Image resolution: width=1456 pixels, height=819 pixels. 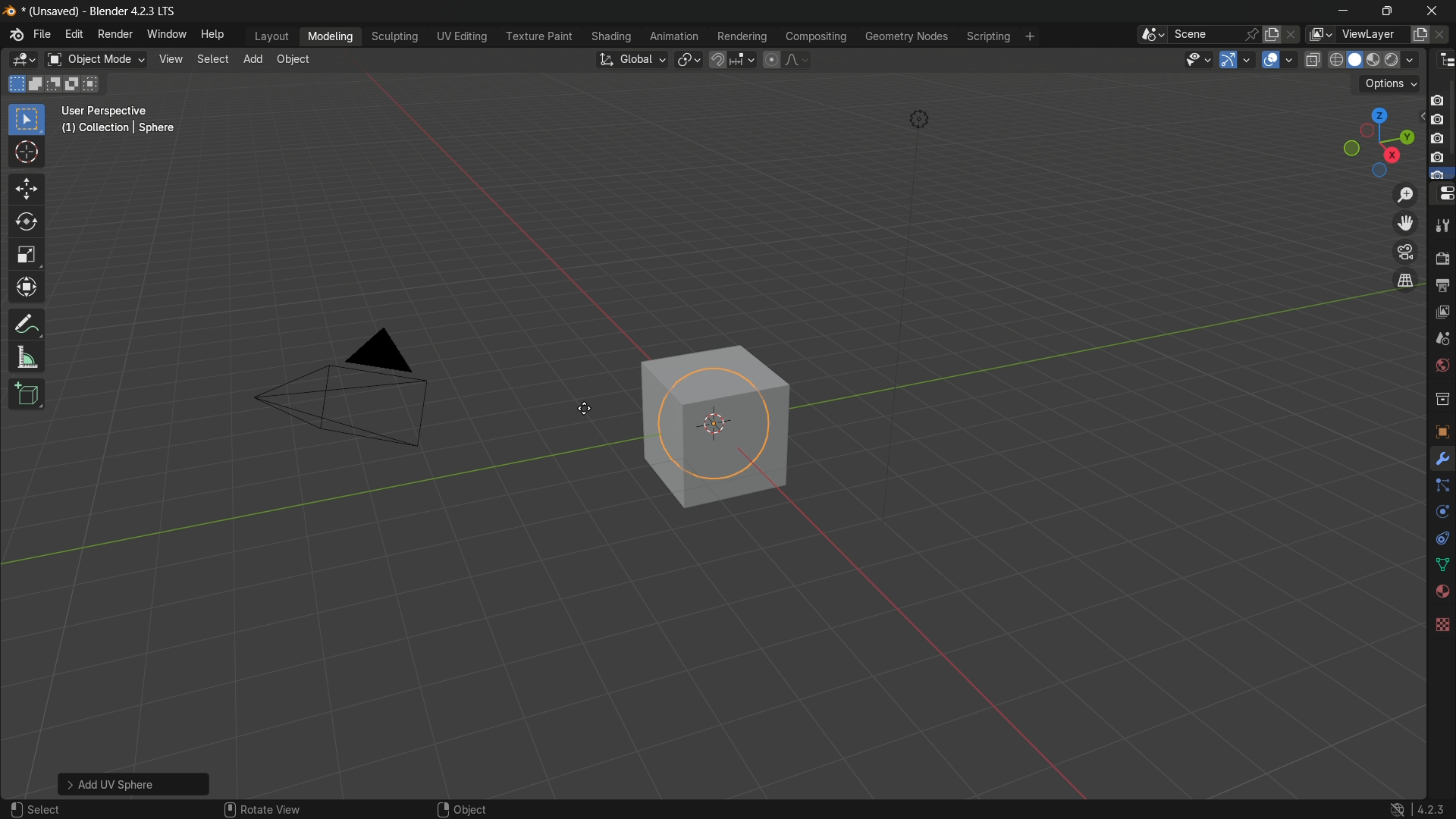 I want to click on proportional editing object, so click(x=771, y=59).